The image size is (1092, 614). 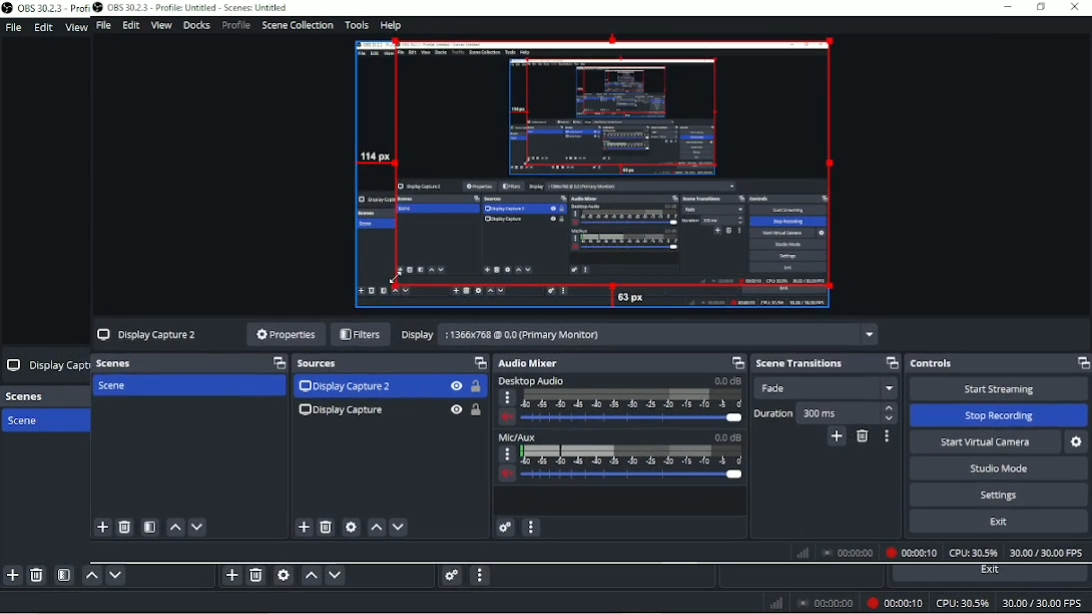 I want to click on up, so click(x=377, y=529).